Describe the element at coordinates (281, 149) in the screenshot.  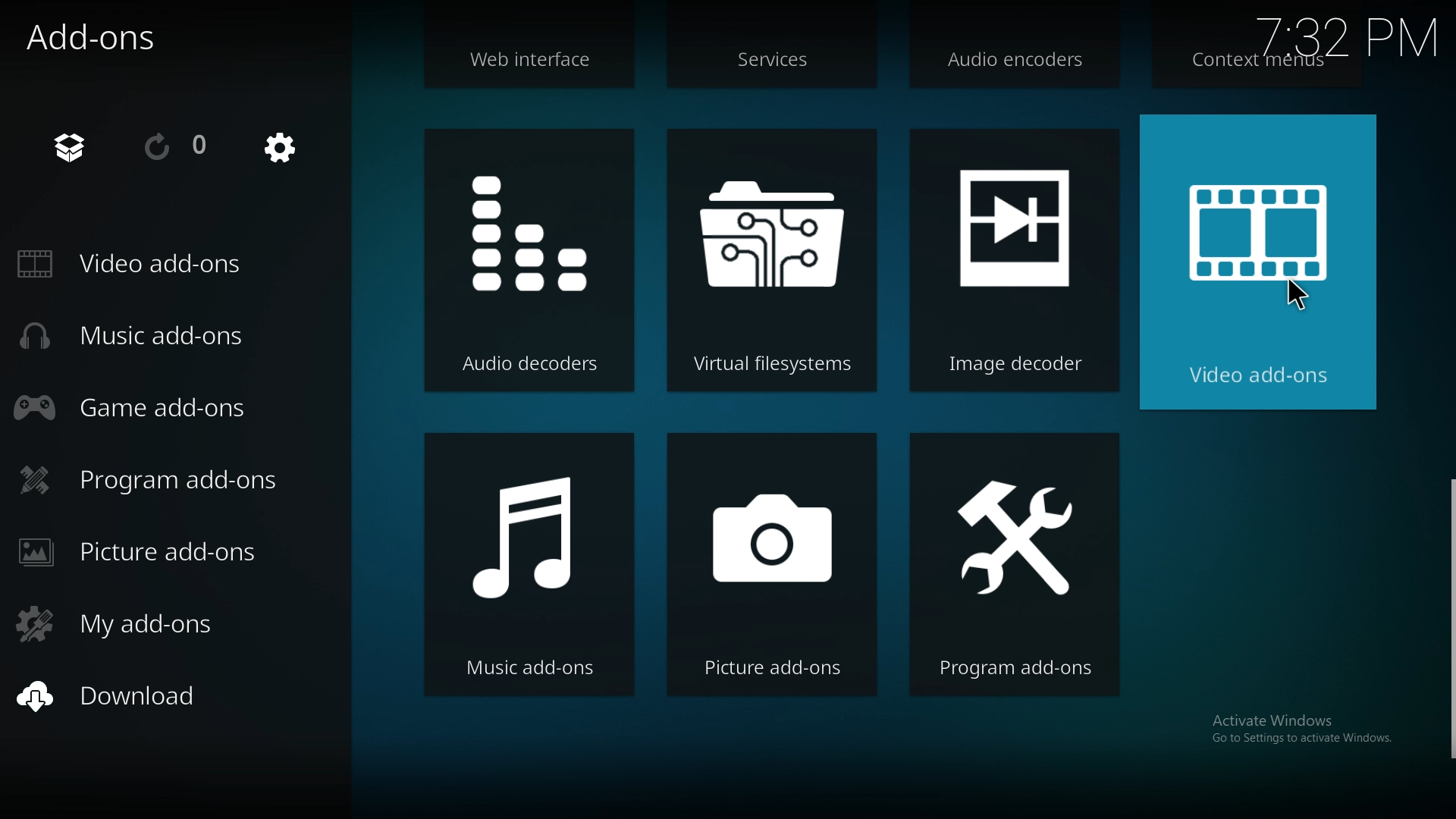
I see `settings` at that location.